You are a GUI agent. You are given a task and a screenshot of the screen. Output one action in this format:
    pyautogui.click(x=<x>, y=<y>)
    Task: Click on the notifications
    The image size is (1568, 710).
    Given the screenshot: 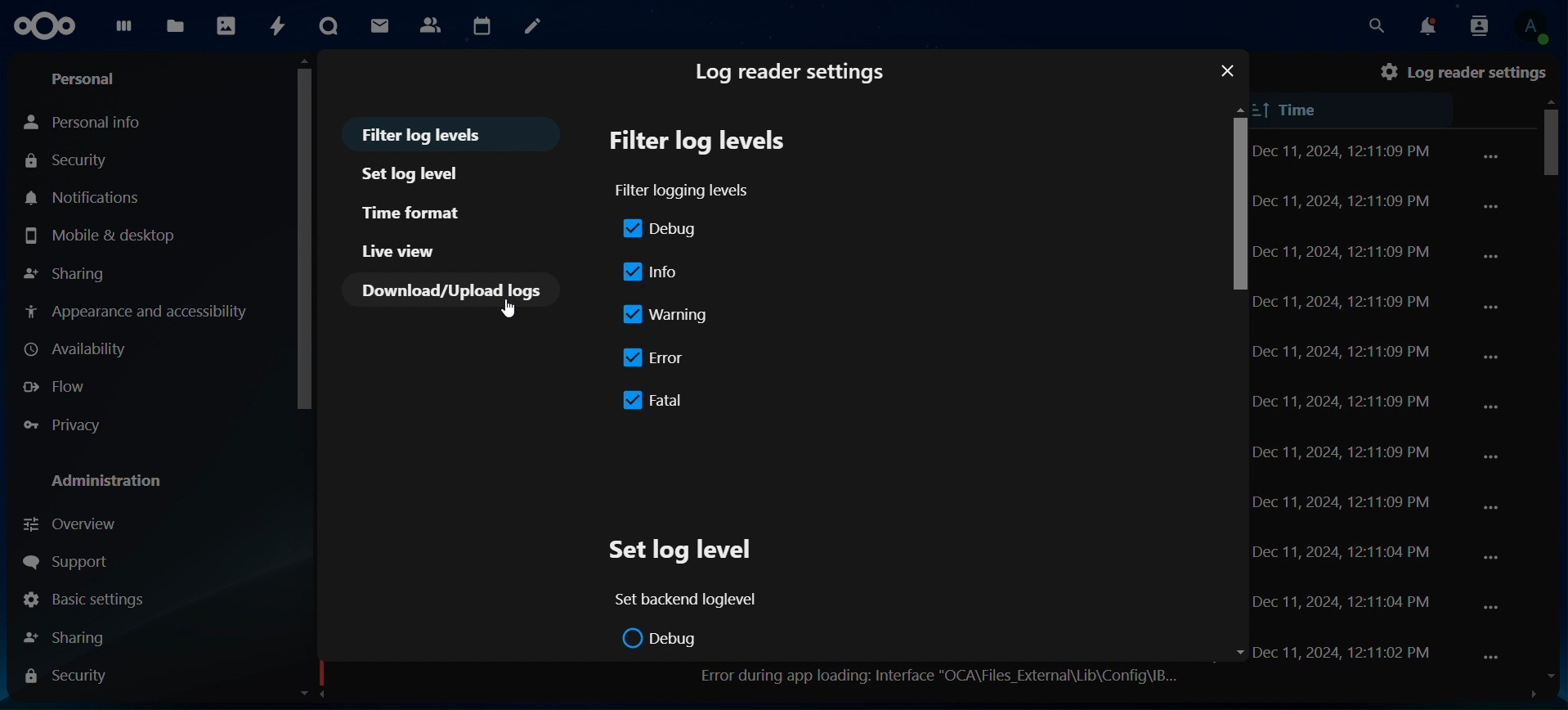 What is the action you would take?
    pyautogui.click(x=1421, y=25)
    